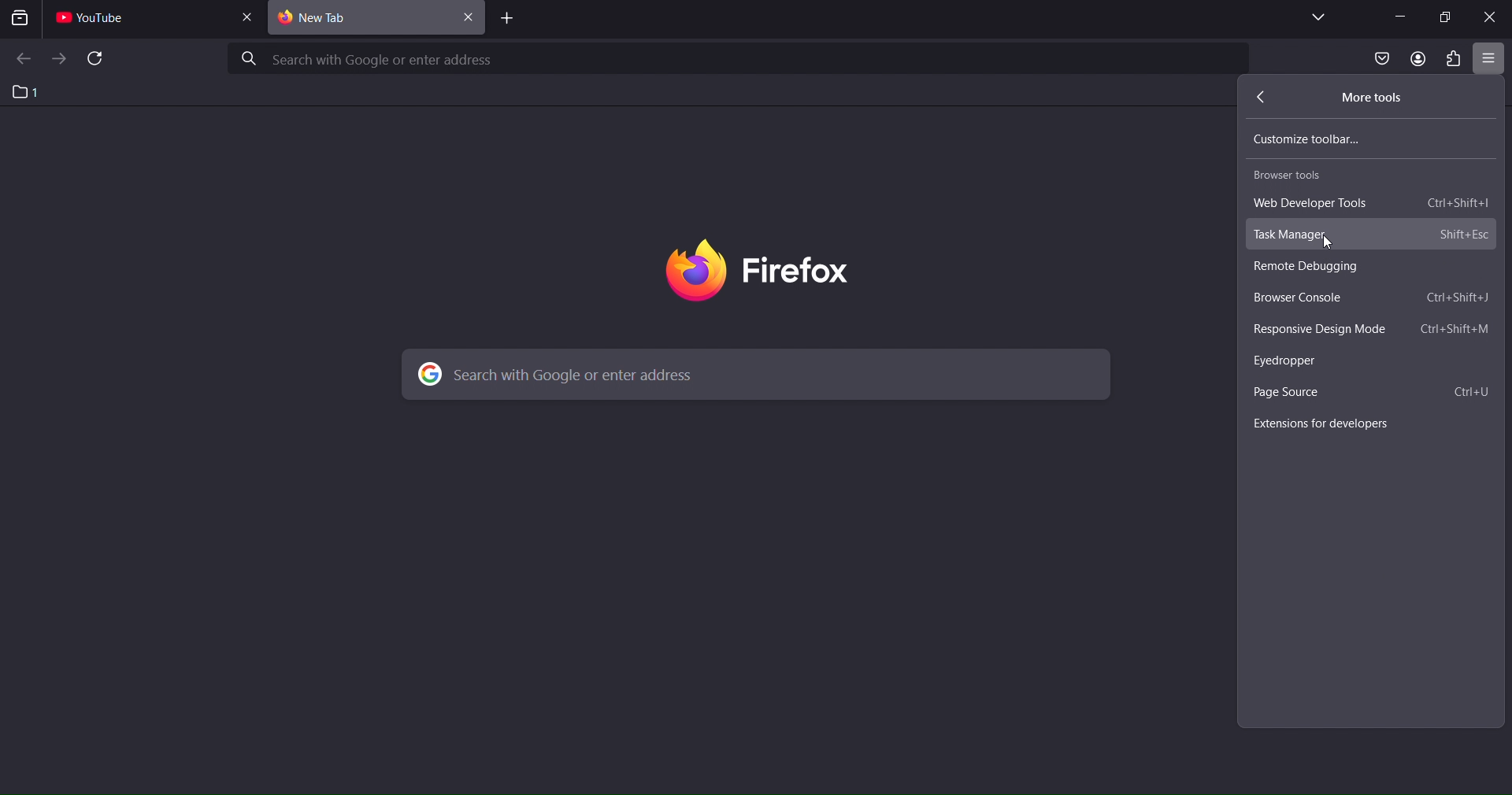 The image size is (1512, 795). I want to click on youtube, so click(98, 20).